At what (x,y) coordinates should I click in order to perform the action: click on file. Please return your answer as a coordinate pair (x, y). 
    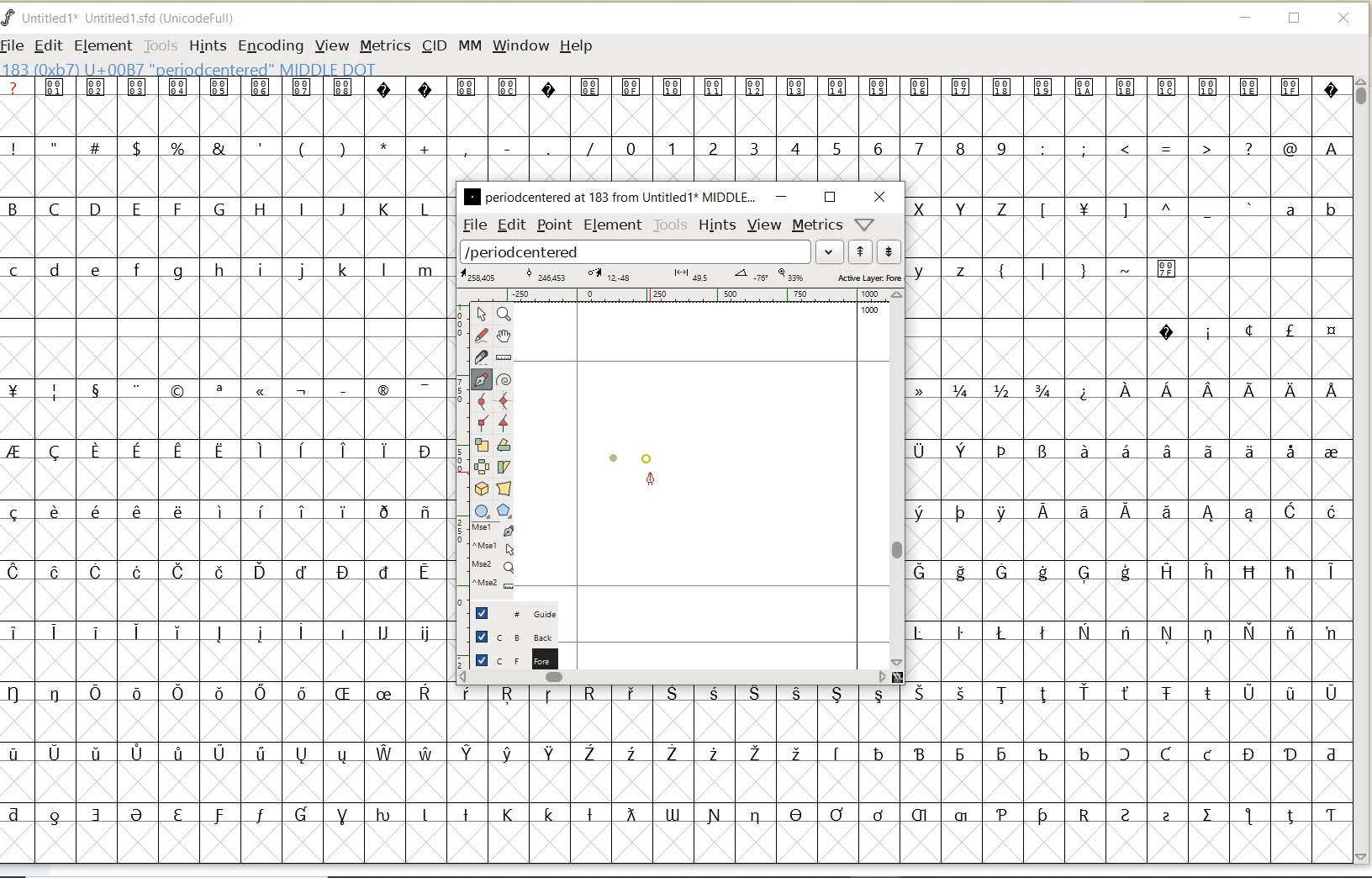
    Looking at the image, I should click on (472, 225).